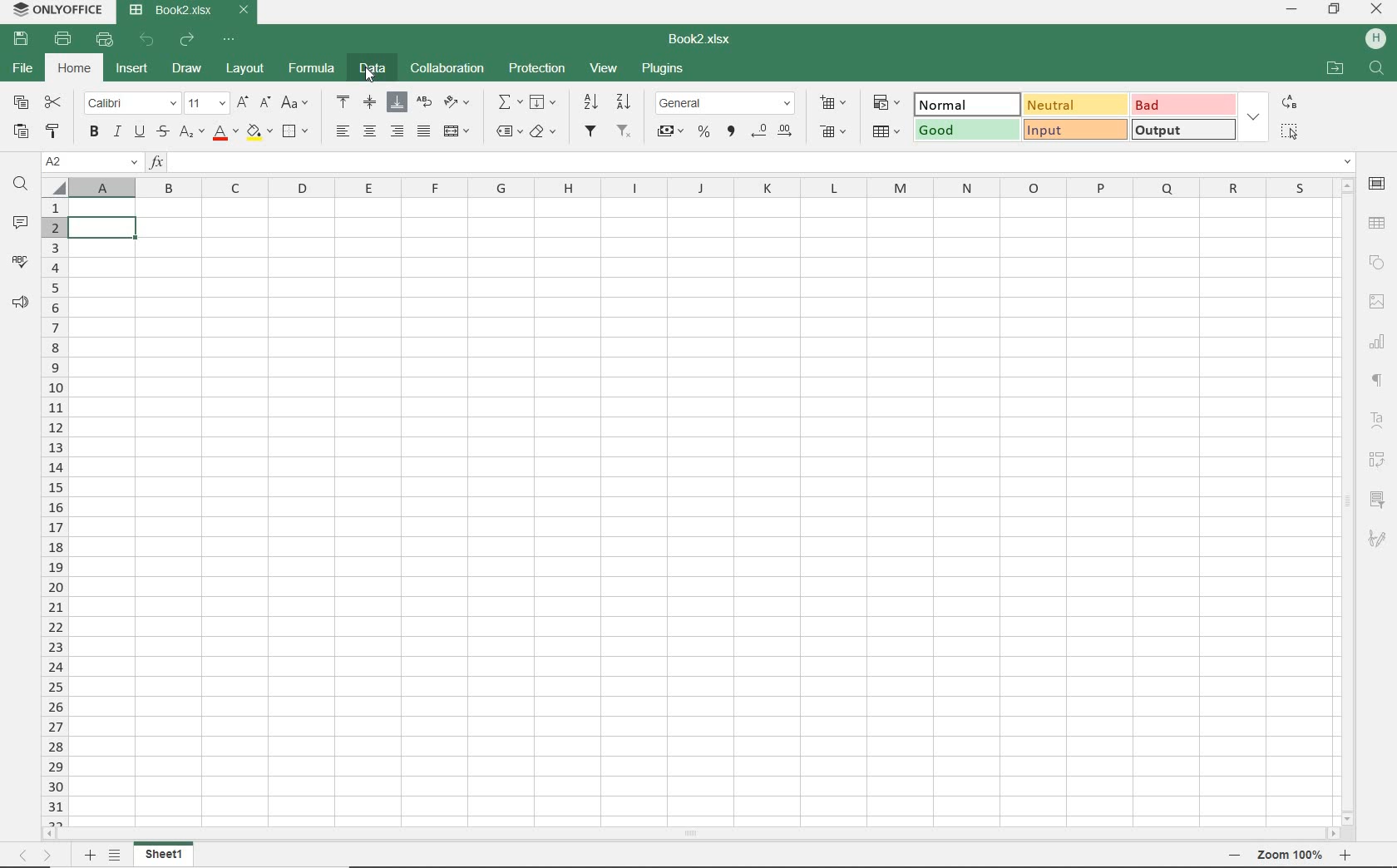  Describe the element at coordinates (1377, 184) in the screenshot. I see `CELL SETTINGS` at that location.